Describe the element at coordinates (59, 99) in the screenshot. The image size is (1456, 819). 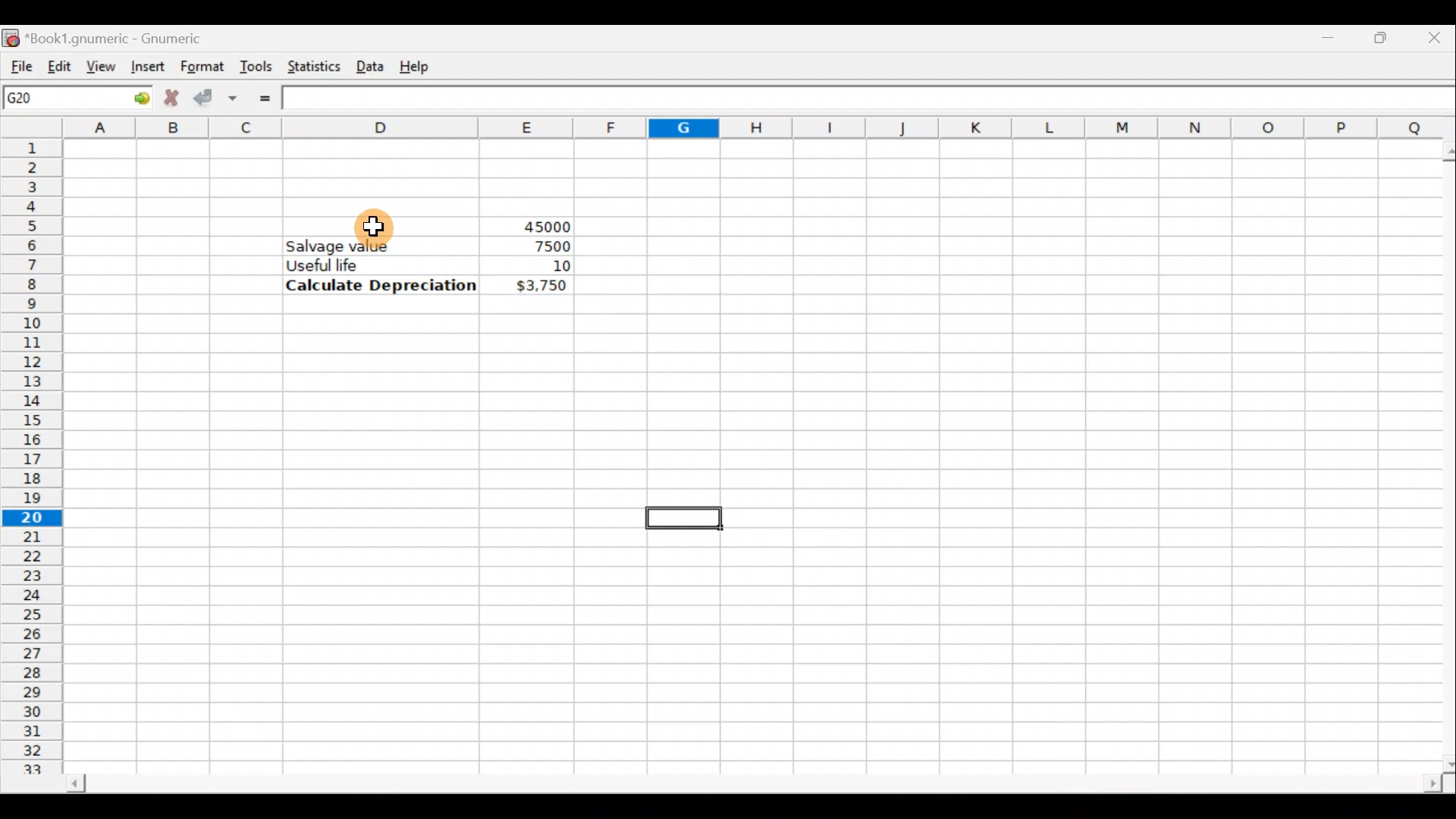
I see `Cell name G20` at that location.